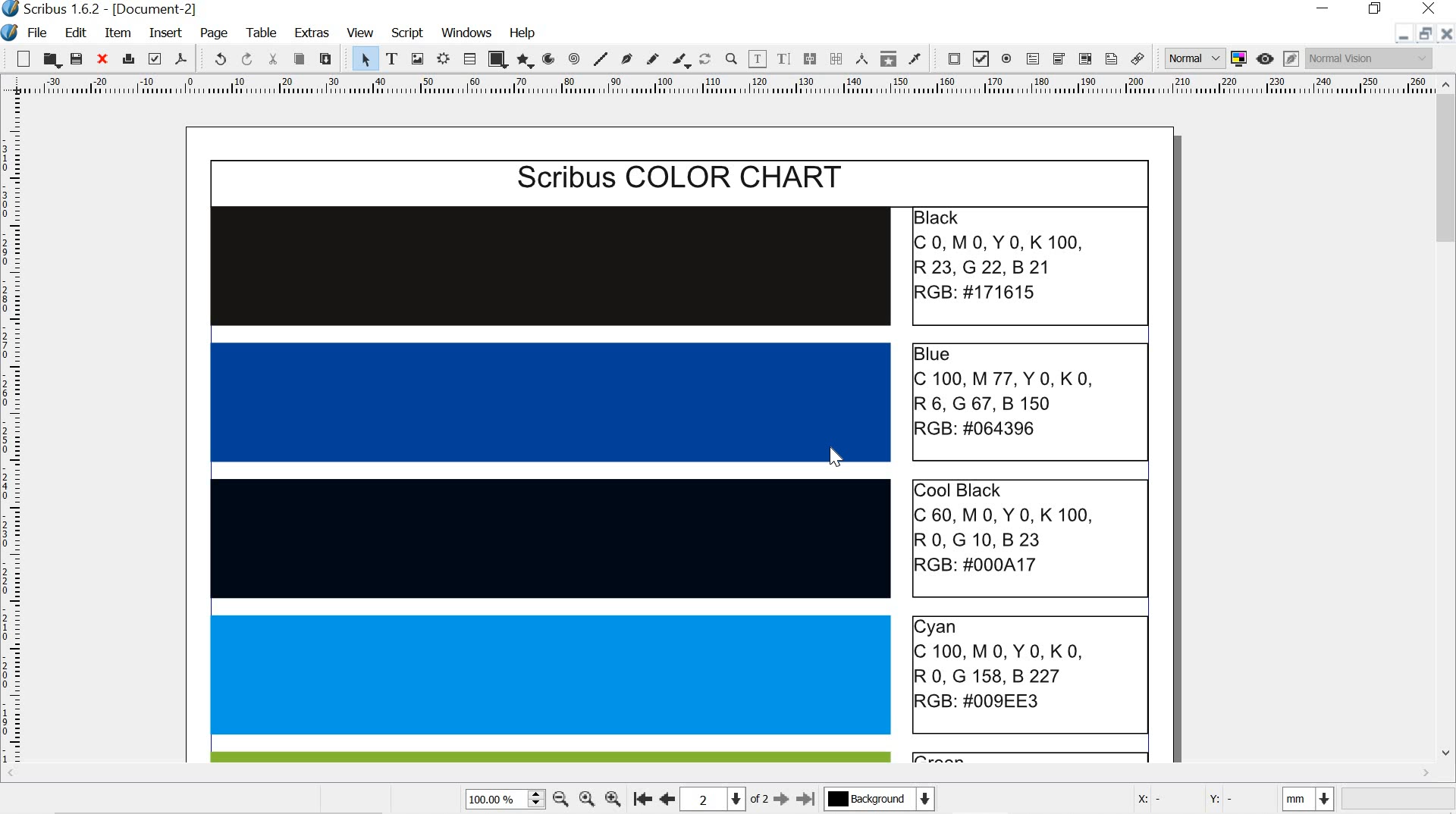  What do you see at coordinates (667, 797) in the screenshot?
I see `Previous page` at bounding box center [667, 797].